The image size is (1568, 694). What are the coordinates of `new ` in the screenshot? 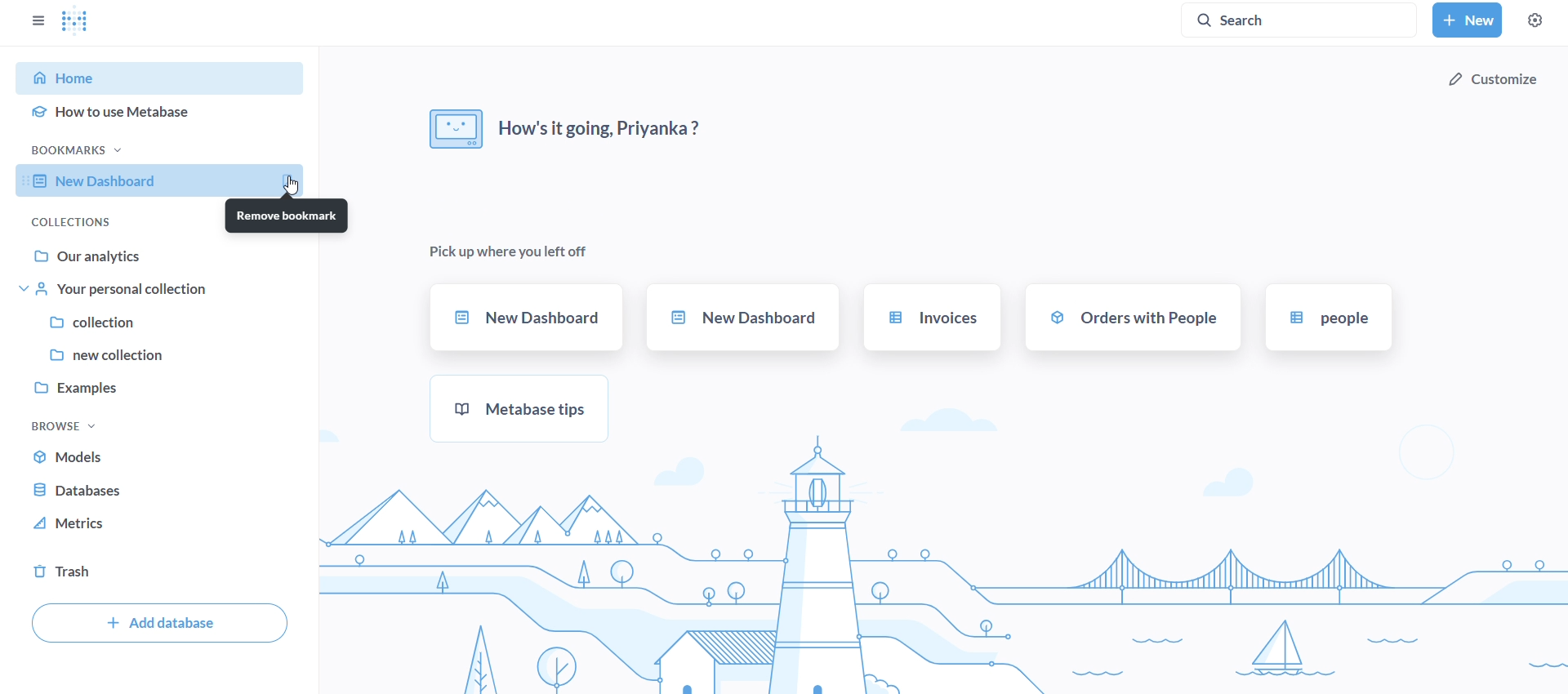 It's located at (1466, 20).